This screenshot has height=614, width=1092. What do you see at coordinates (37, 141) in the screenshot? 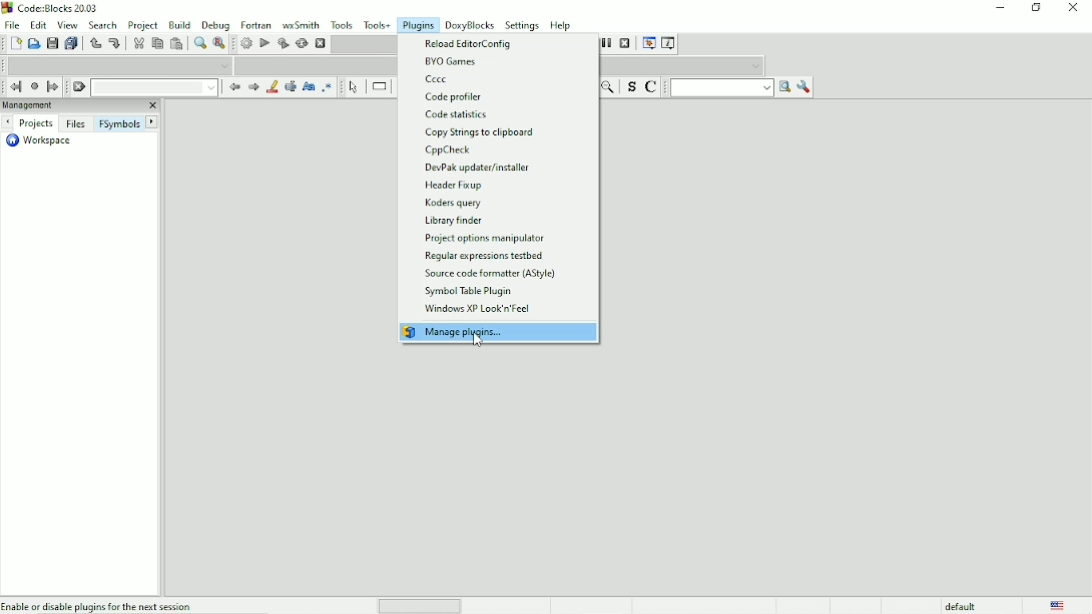
I see `Workspace` at bounding box center [37, 141].